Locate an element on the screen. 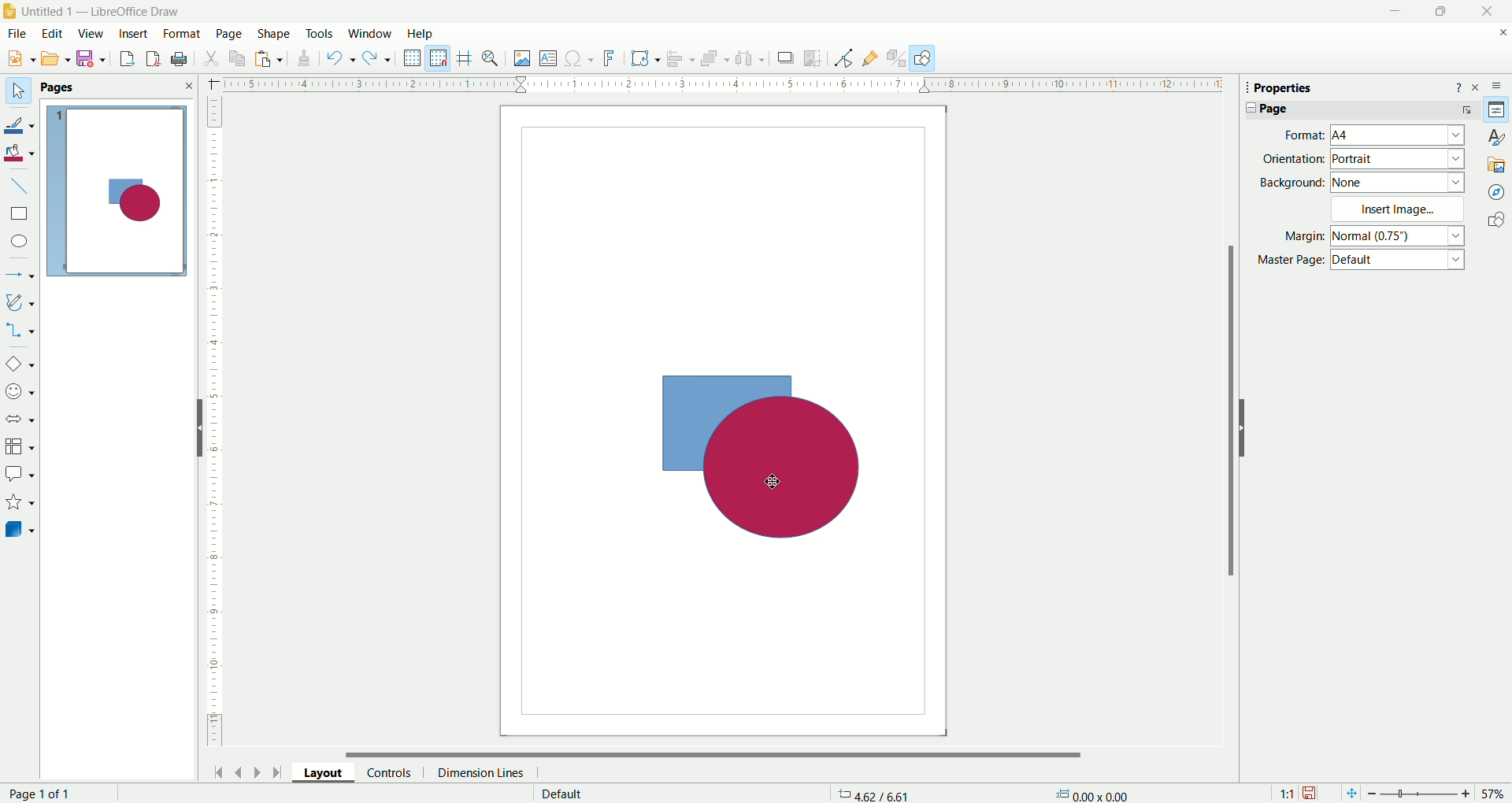 The width and height of the screenshot is (1512, 803). horizontal scroll bar is located at coordinates (724, 753).